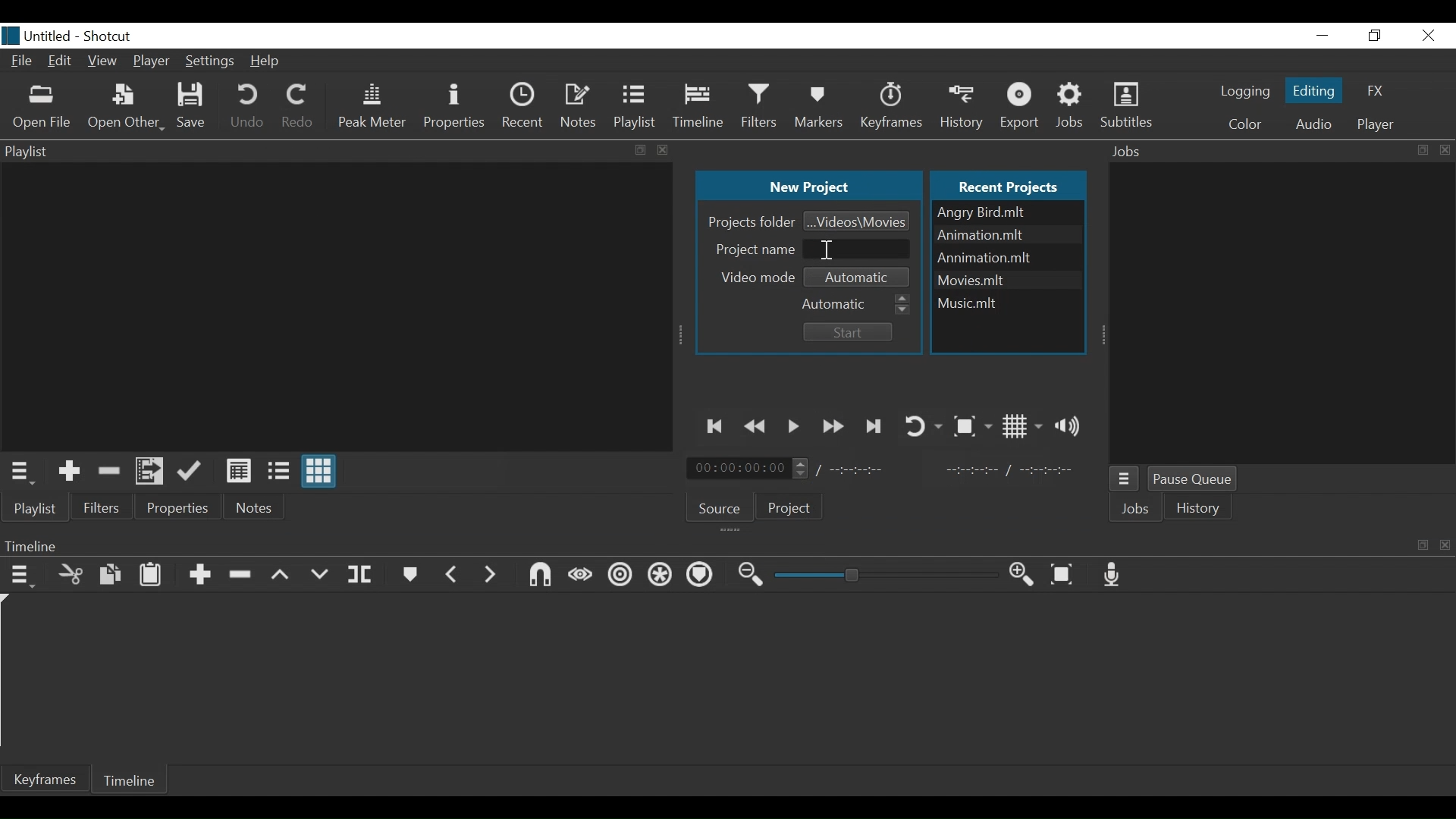  What do you see at coordinates (411, 574) in the screenshot?
I see `Markers` at bounding box center [411, 574].